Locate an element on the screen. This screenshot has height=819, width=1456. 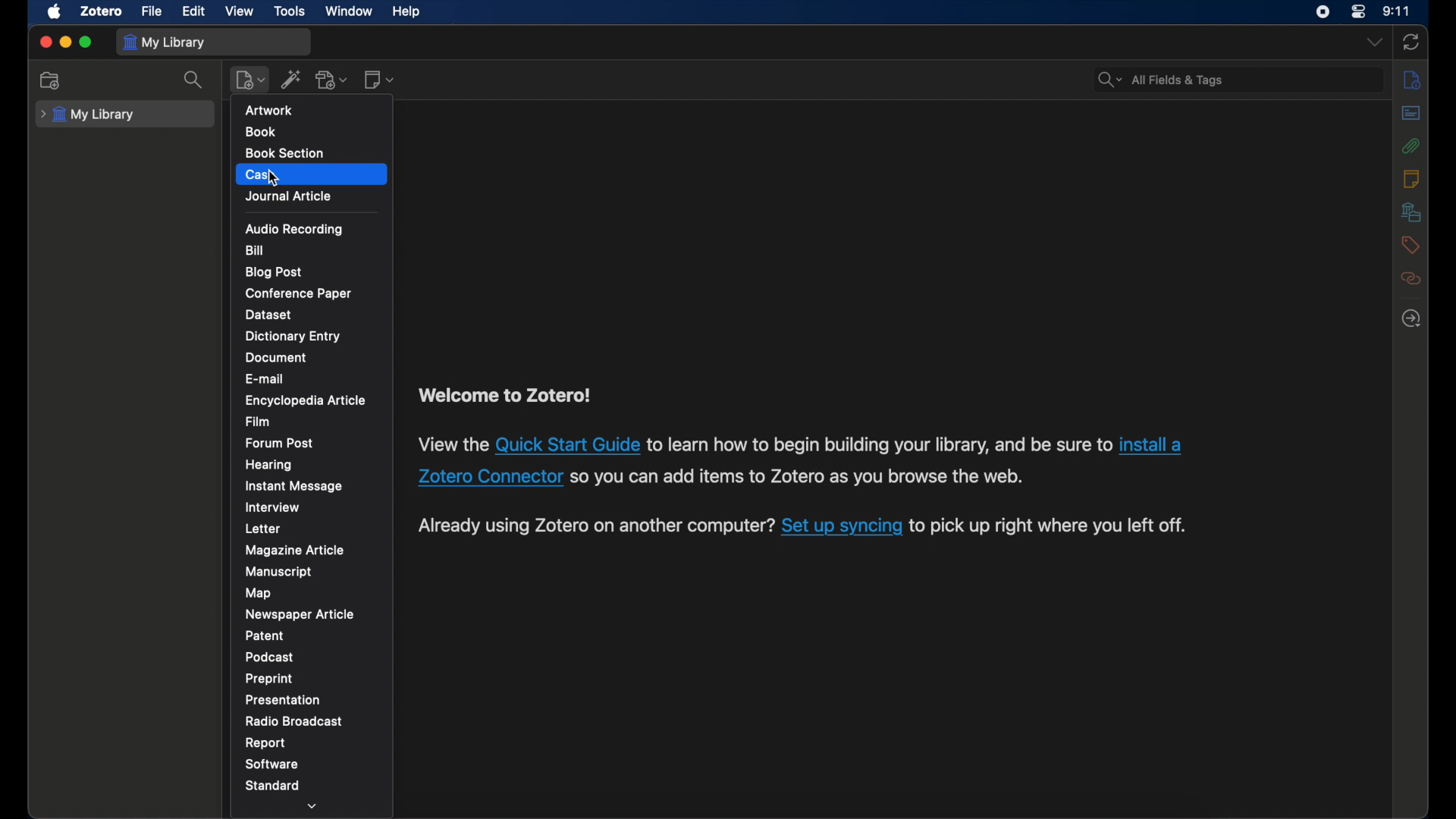
new collection is located at coordinates (51, 81).